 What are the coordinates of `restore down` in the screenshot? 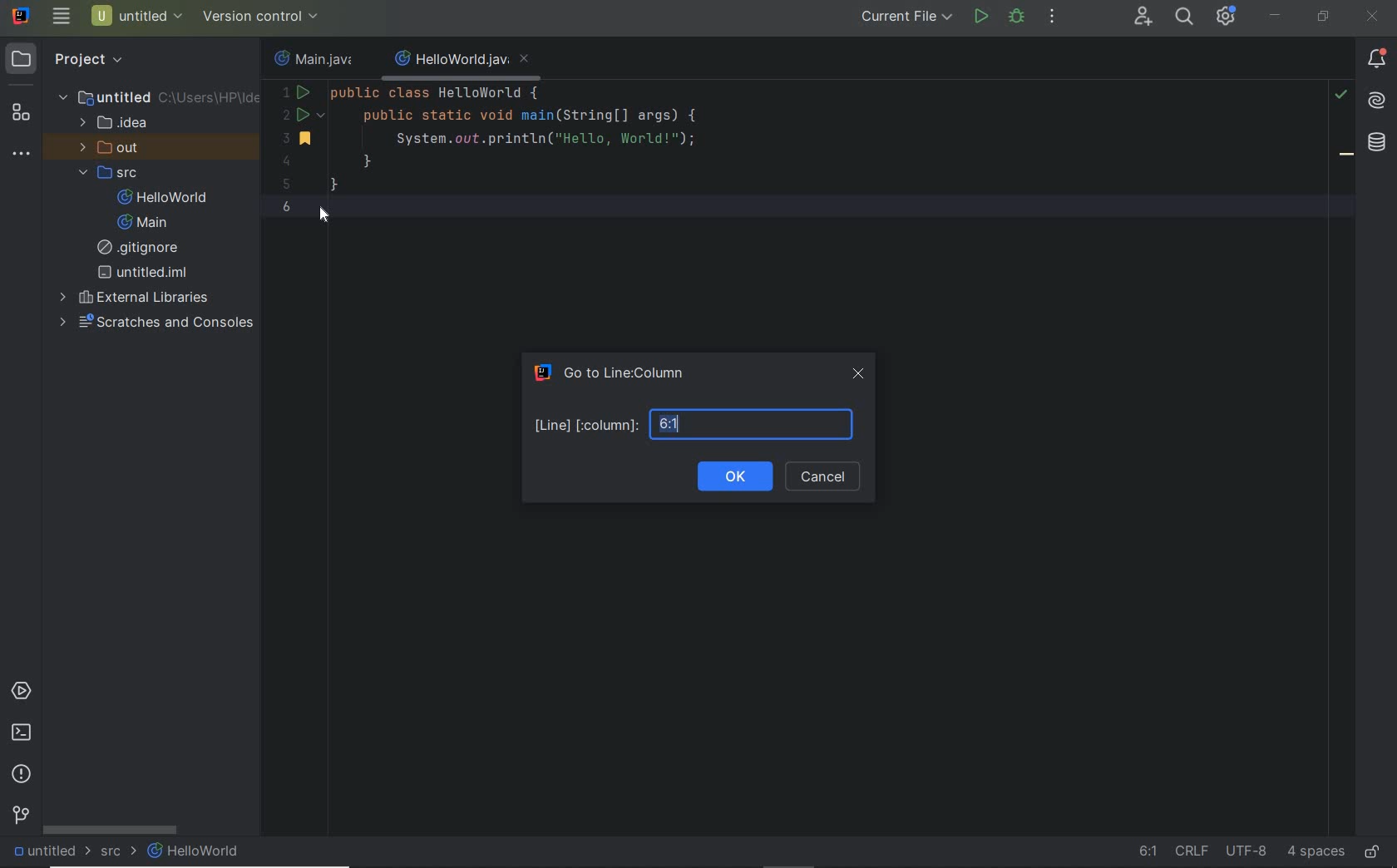 It's located at (1323, 18).